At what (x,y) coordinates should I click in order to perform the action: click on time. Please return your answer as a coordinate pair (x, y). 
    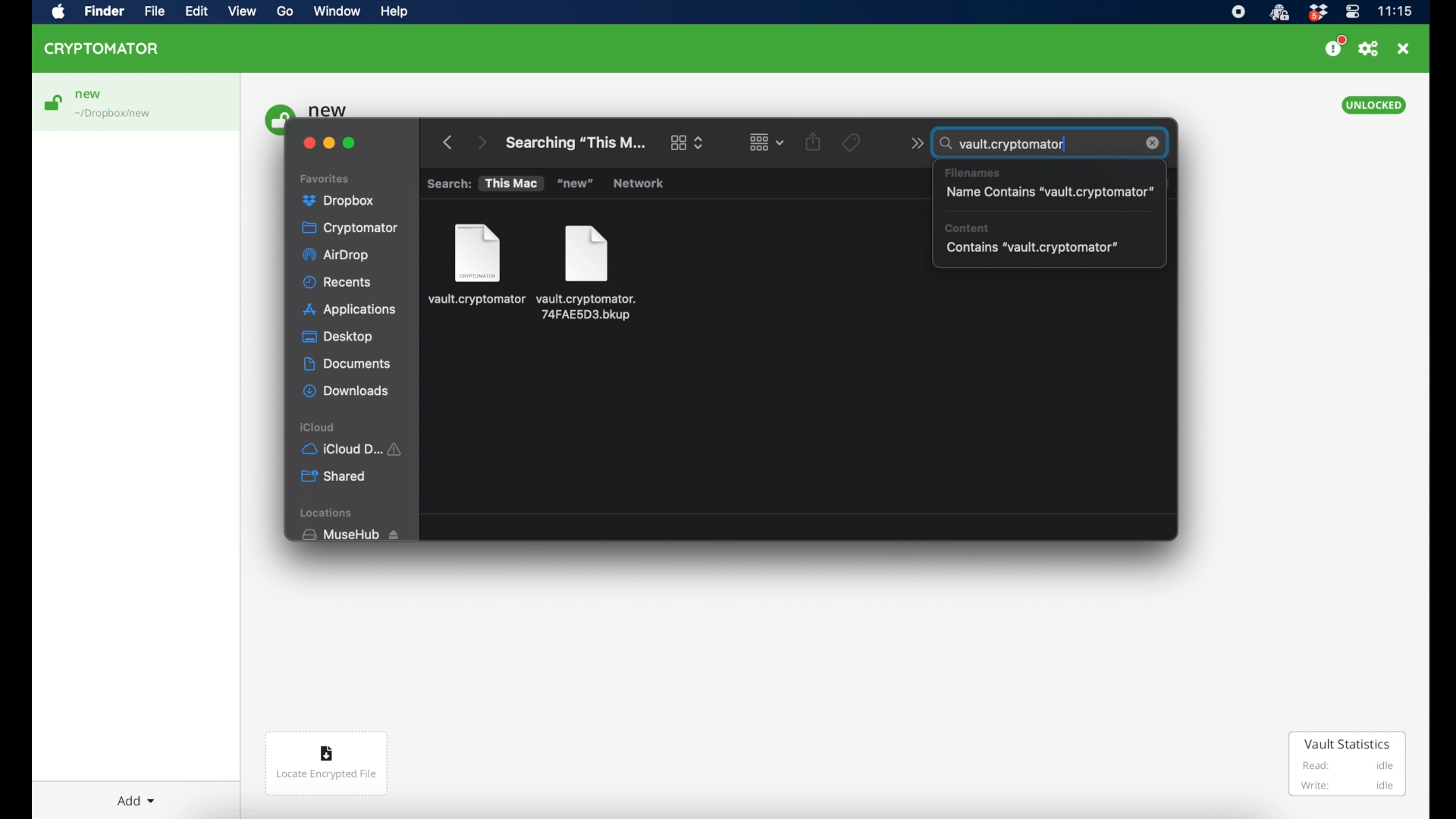
    Looking at the image, I should click on (1395, 11).